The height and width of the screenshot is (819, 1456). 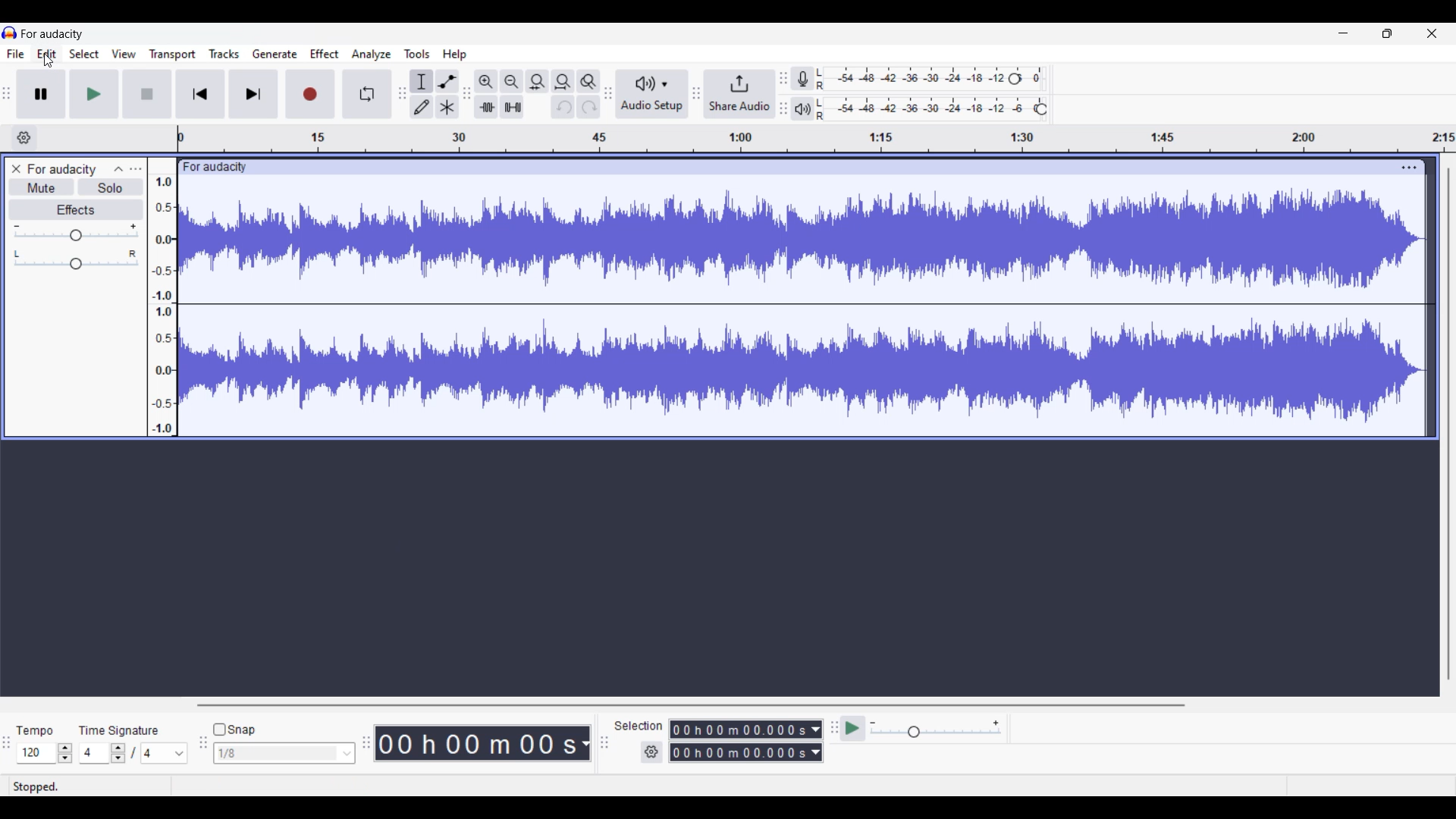 I want to click on Record/Record new track, so click(x=310, y=94).